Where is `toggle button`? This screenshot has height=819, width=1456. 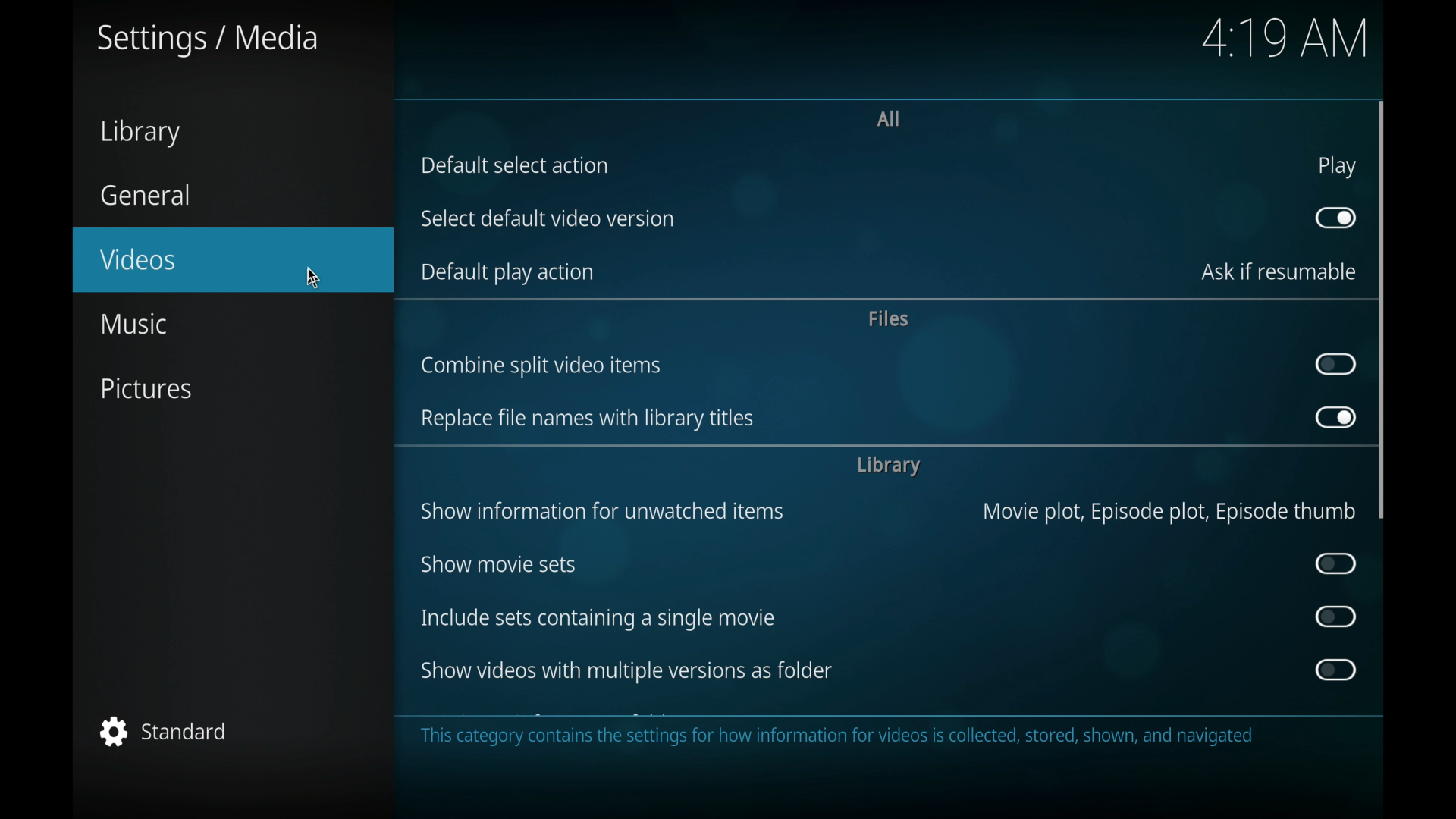 toggle button is located at coordinates (1337, 419).